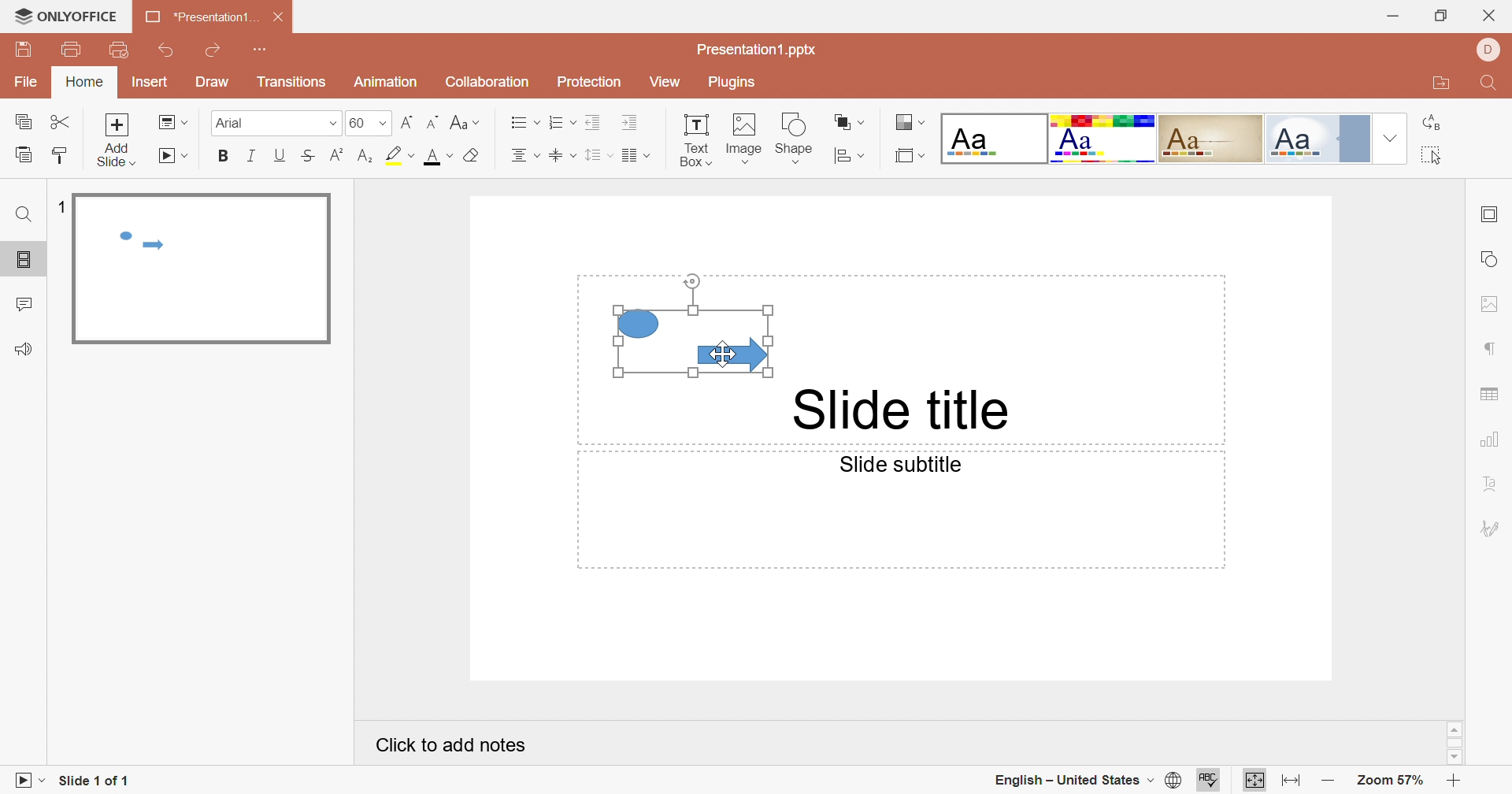 This screenshot has width=1512, height=794. Describe the element at coordinates (167, 53) in the screenshot. I see `Undo` at that location.